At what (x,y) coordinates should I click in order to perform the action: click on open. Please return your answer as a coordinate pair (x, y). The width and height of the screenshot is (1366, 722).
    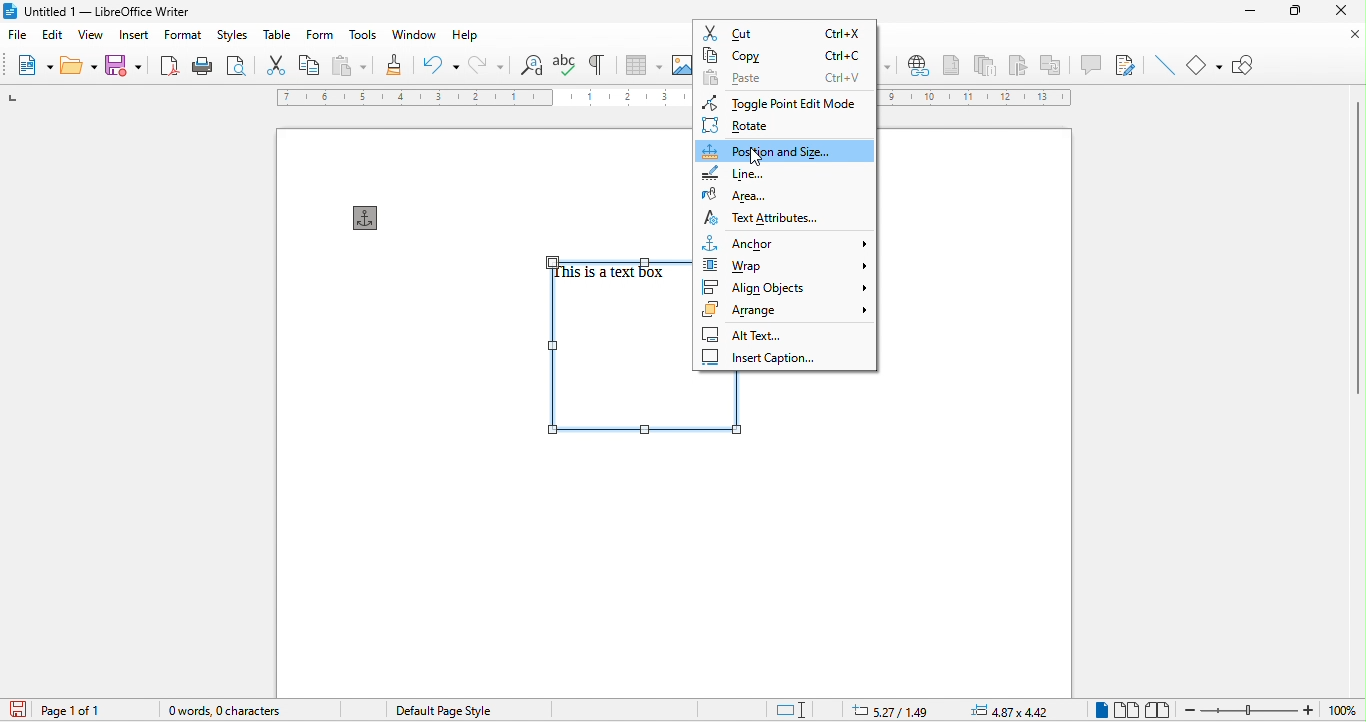
    Looking at the image, I should click on (79, 64).